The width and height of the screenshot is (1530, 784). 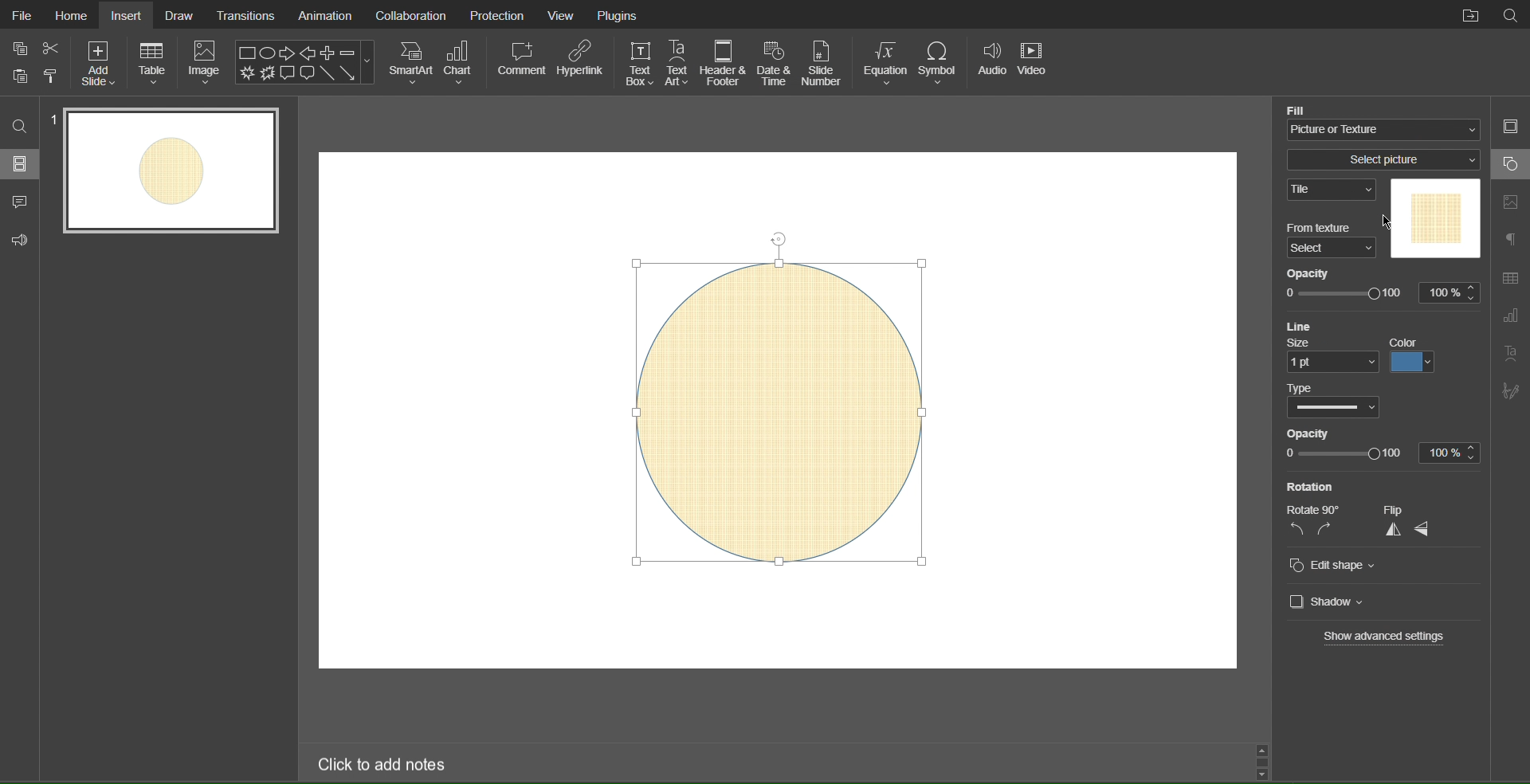 What do you see at coordinates (1305, 327) in the screenshot?
I see `line ` at bounding box center [1305, 327].